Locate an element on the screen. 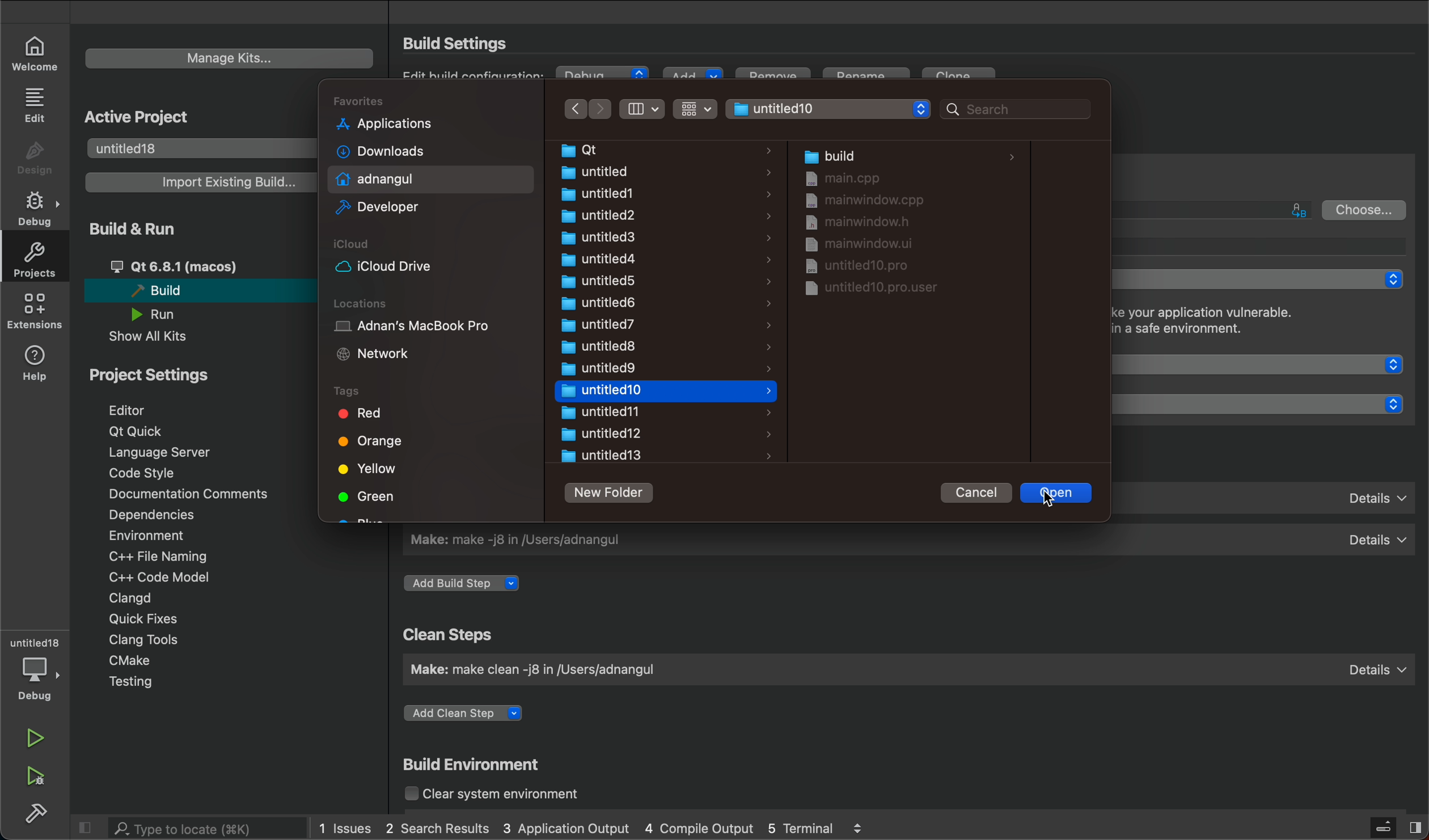  testing is located at coordinates (132, 682).